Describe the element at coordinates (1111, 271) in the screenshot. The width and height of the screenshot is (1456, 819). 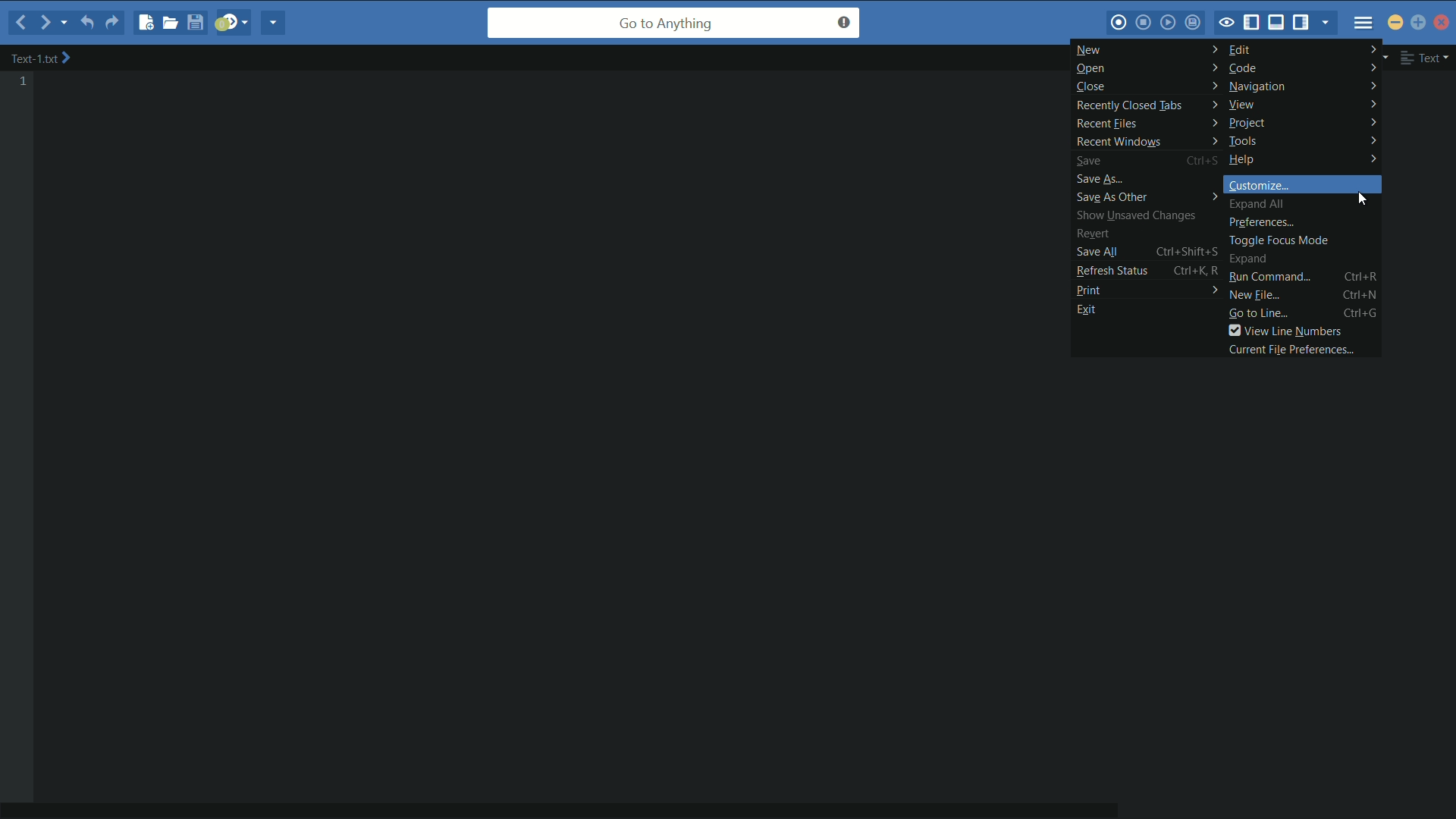
I see `refresh status` at that location.